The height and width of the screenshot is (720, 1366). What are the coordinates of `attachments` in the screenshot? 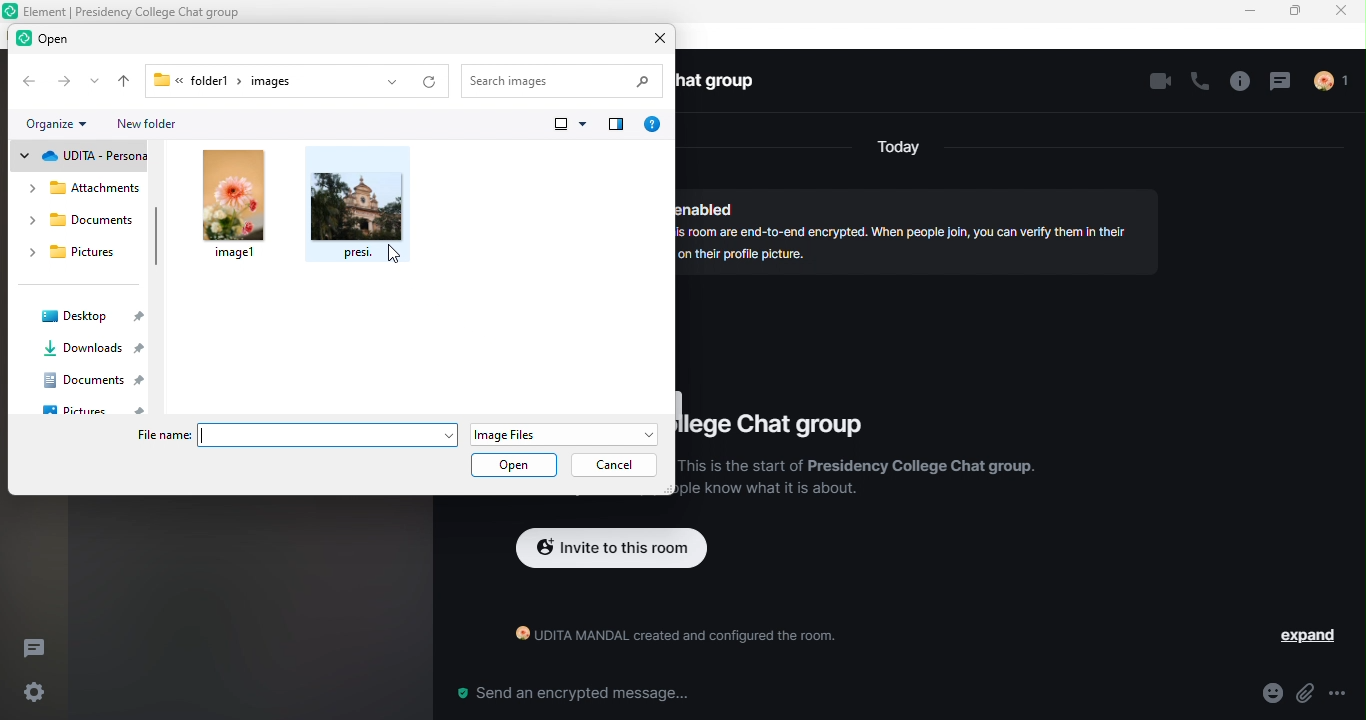 It's located at (85, 189).